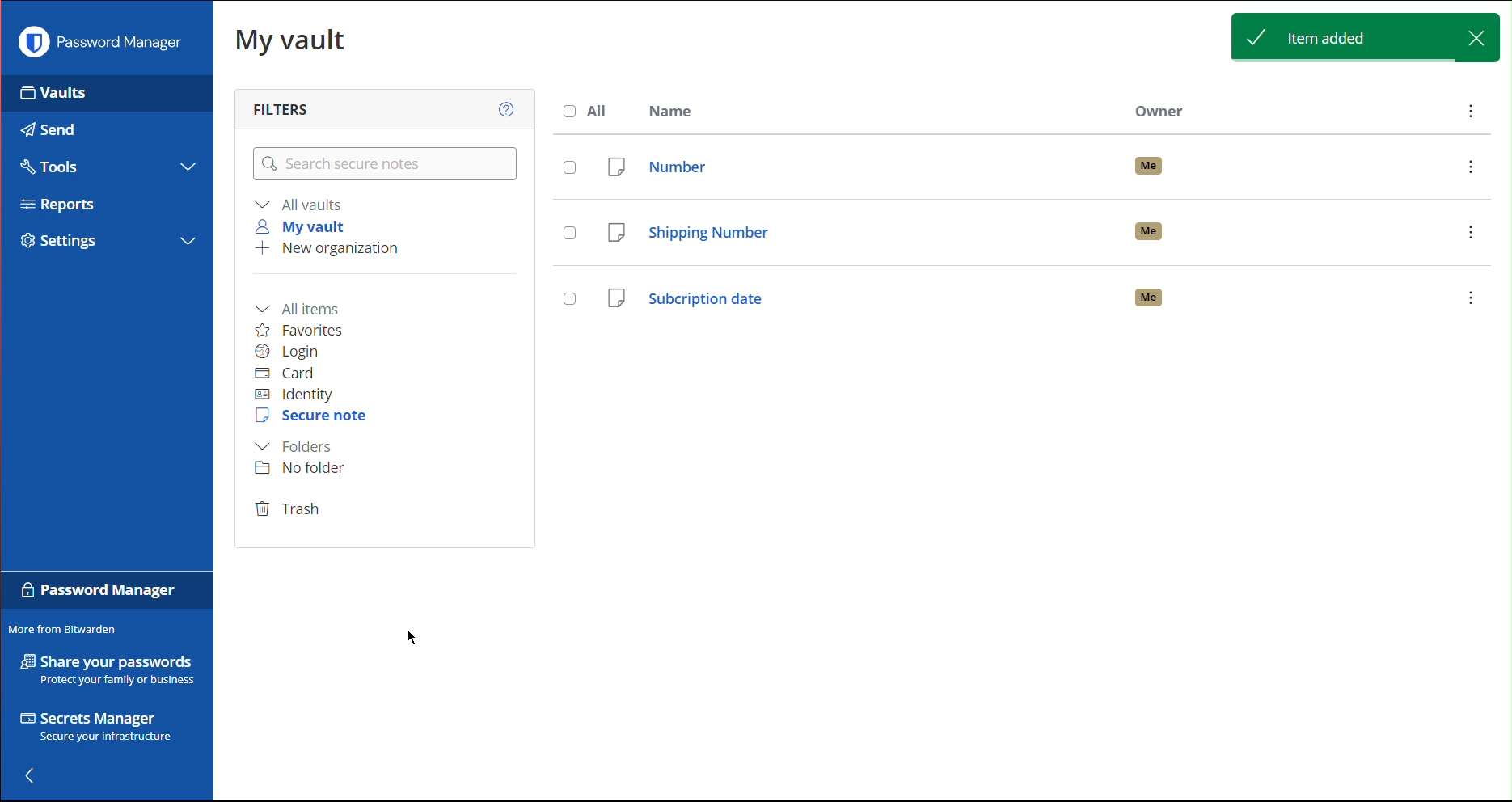  What do you see at coordinates (586, 110) in the screenshot?
I see `All` at bounding box center [586, 110].